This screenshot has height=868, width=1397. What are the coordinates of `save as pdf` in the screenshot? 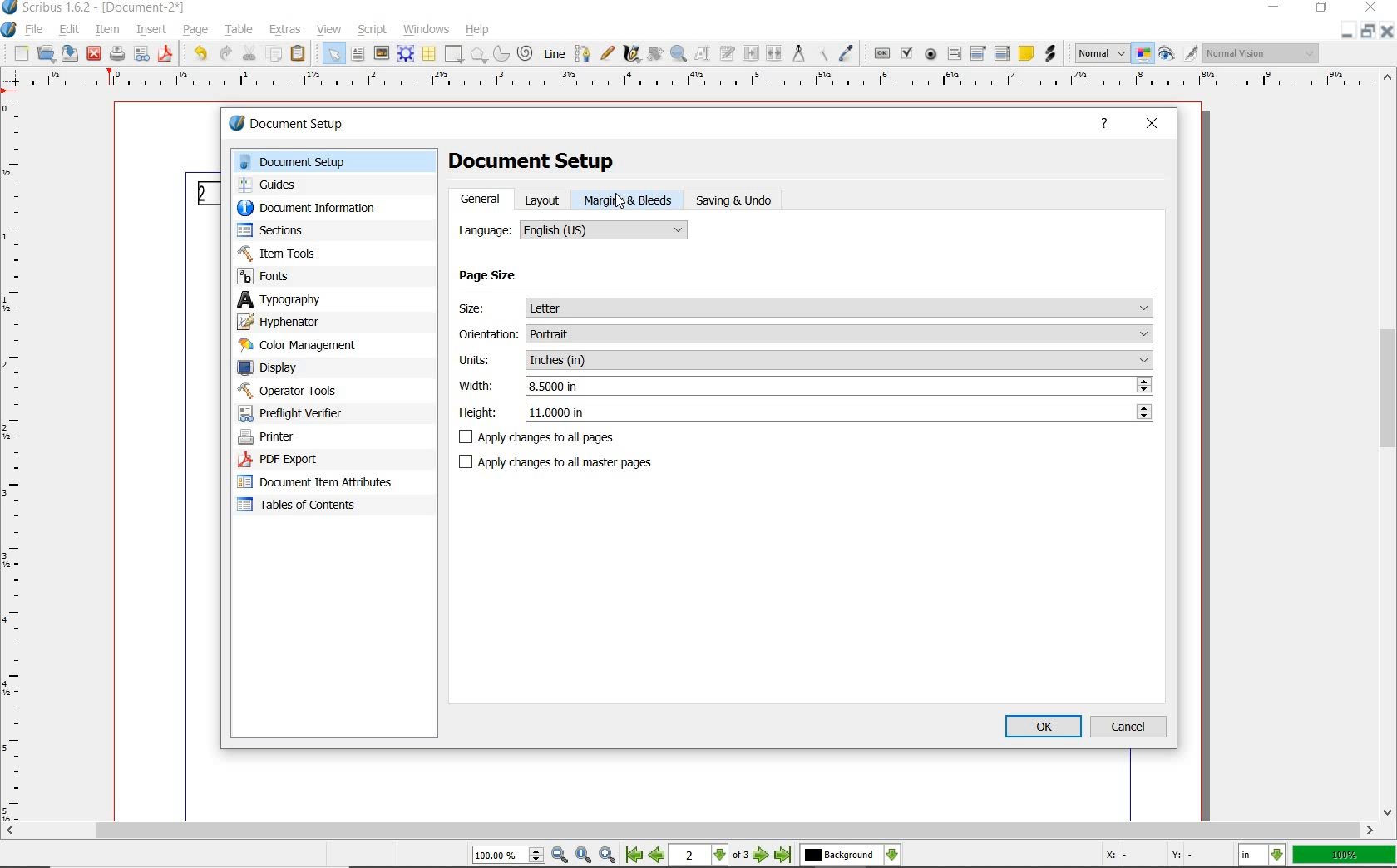 It's located at (165, 54).